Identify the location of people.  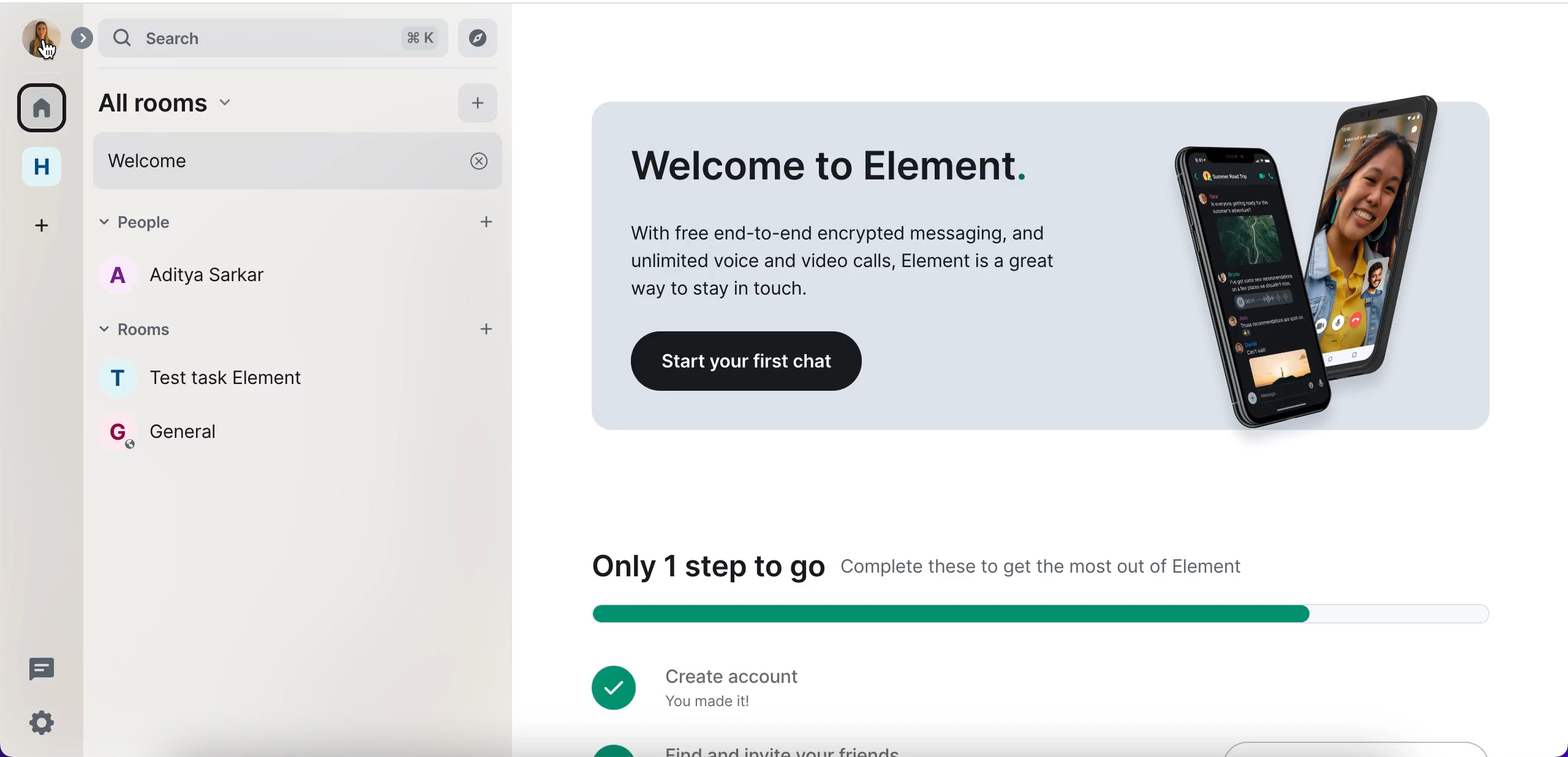
(266, 224).